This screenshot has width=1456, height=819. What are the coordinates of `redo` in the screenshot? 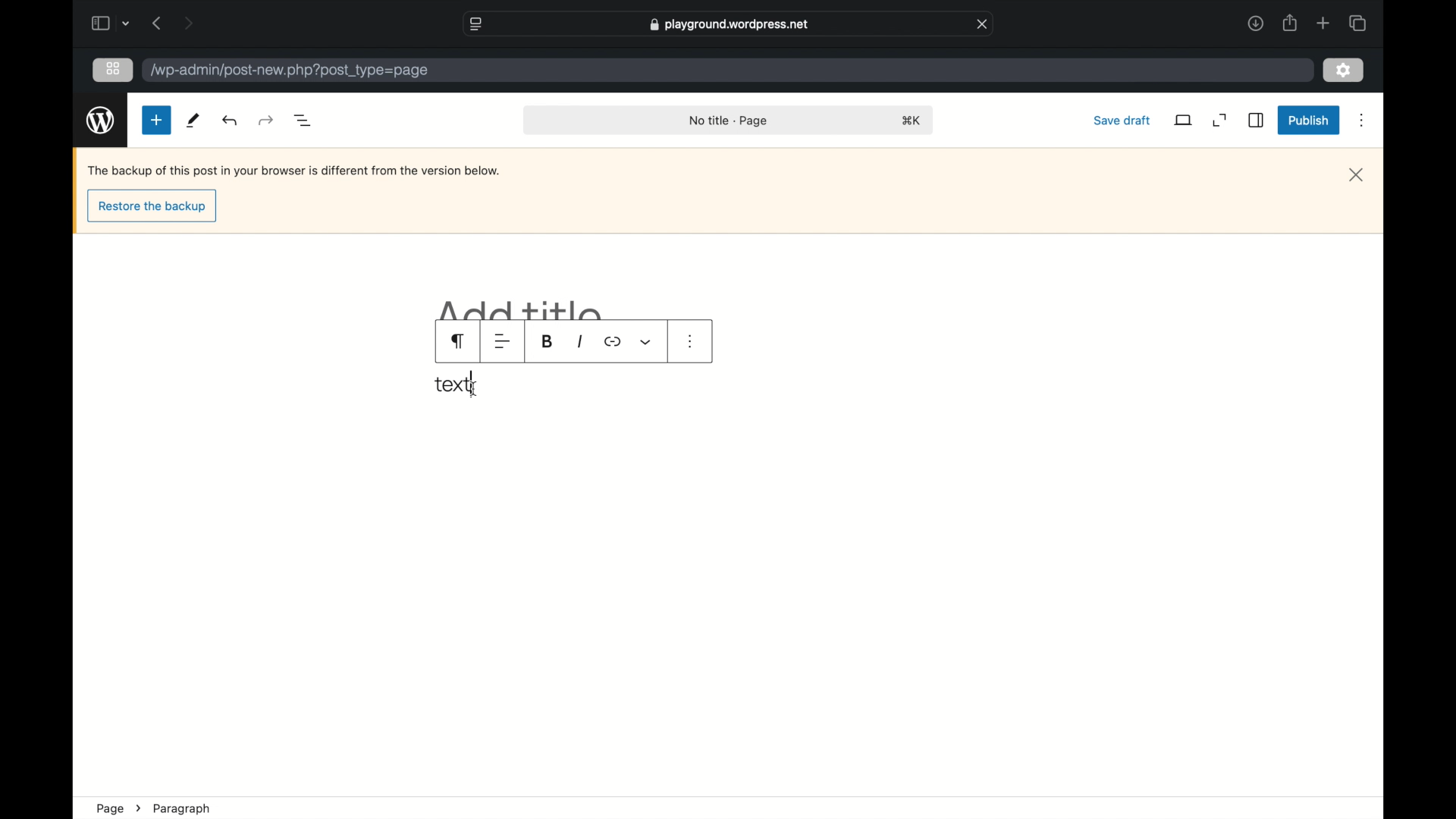 It's located at (231, 120).